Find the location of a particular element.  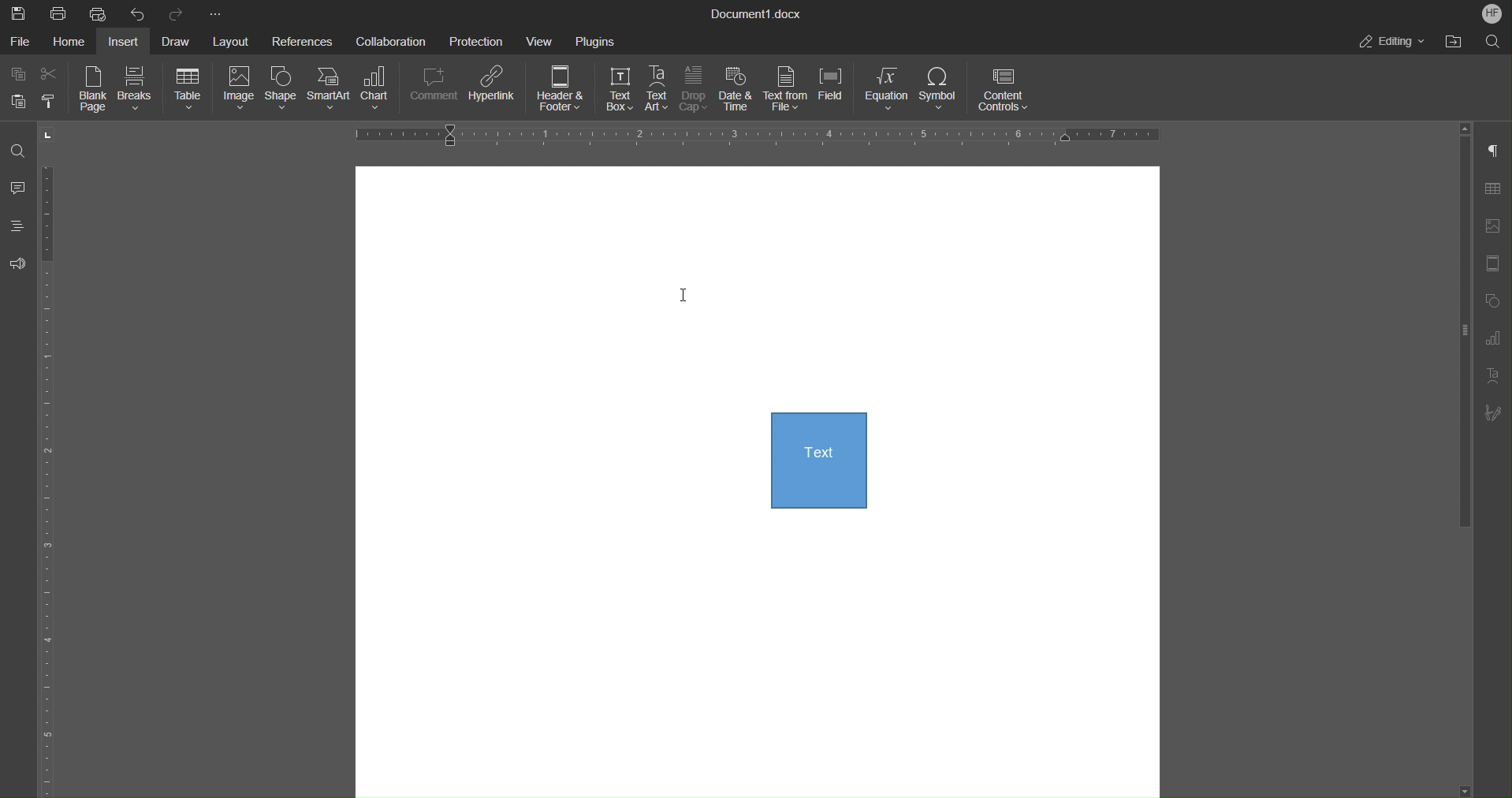

Undo is located at coordinates (138, 13).